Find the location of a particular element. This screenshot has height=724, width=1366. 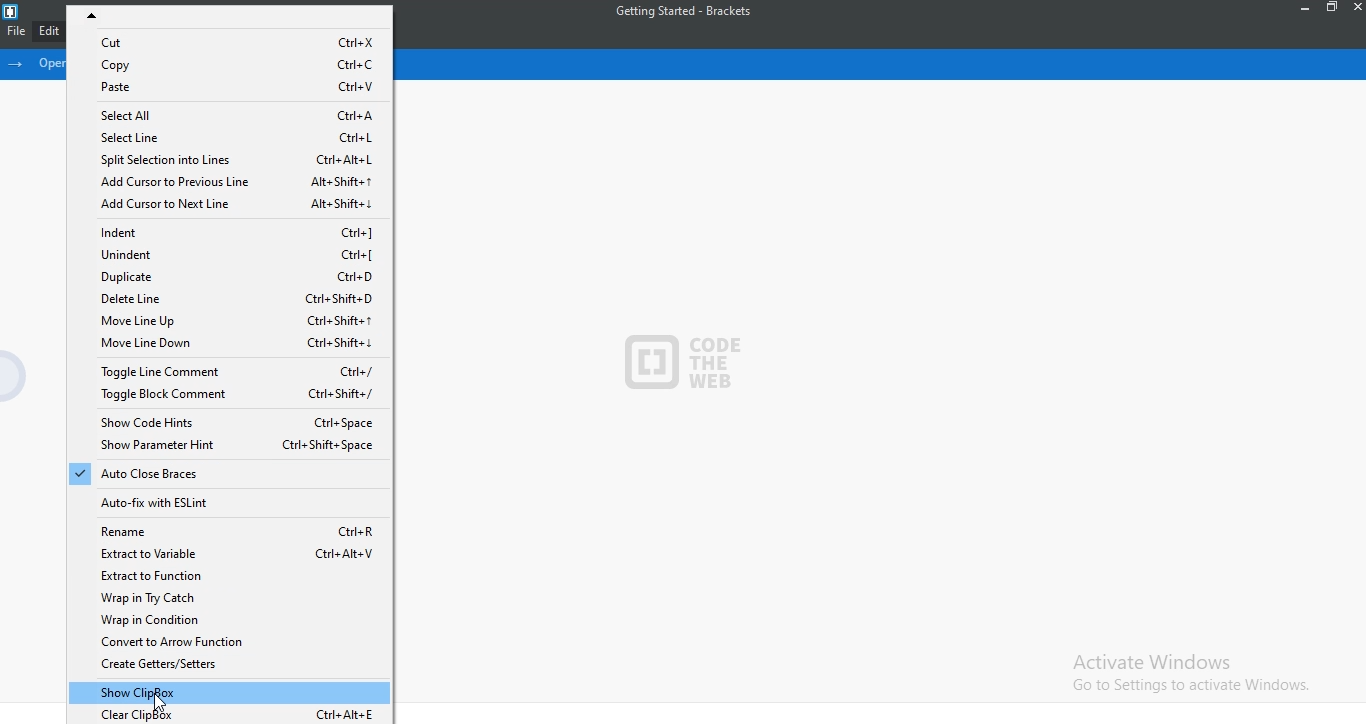

Wrap in Condition is located at coordinates (229, 619).